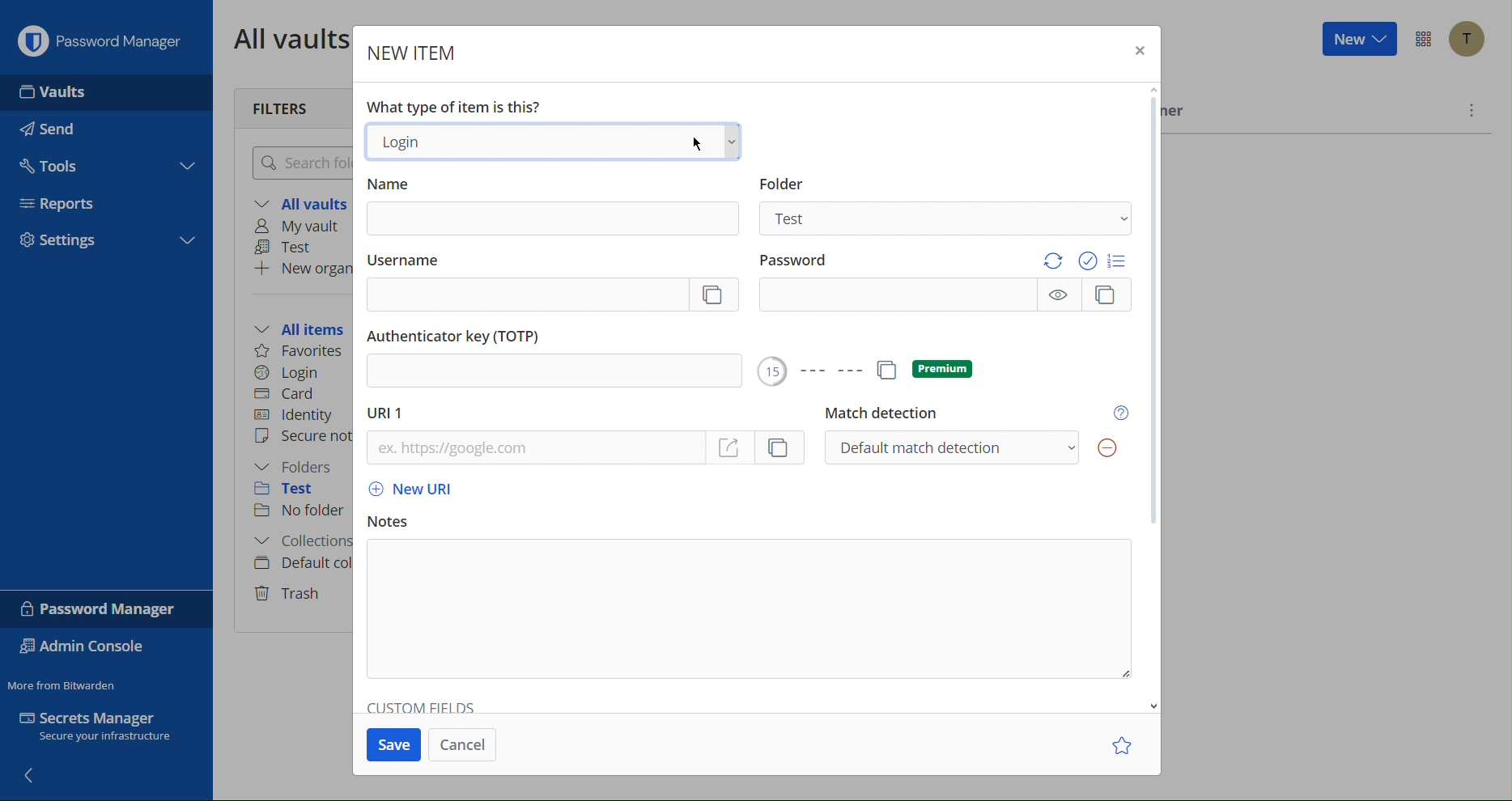 This screenshot has height=801, width=1512. I want to click on Owner, so click(1173, 110).